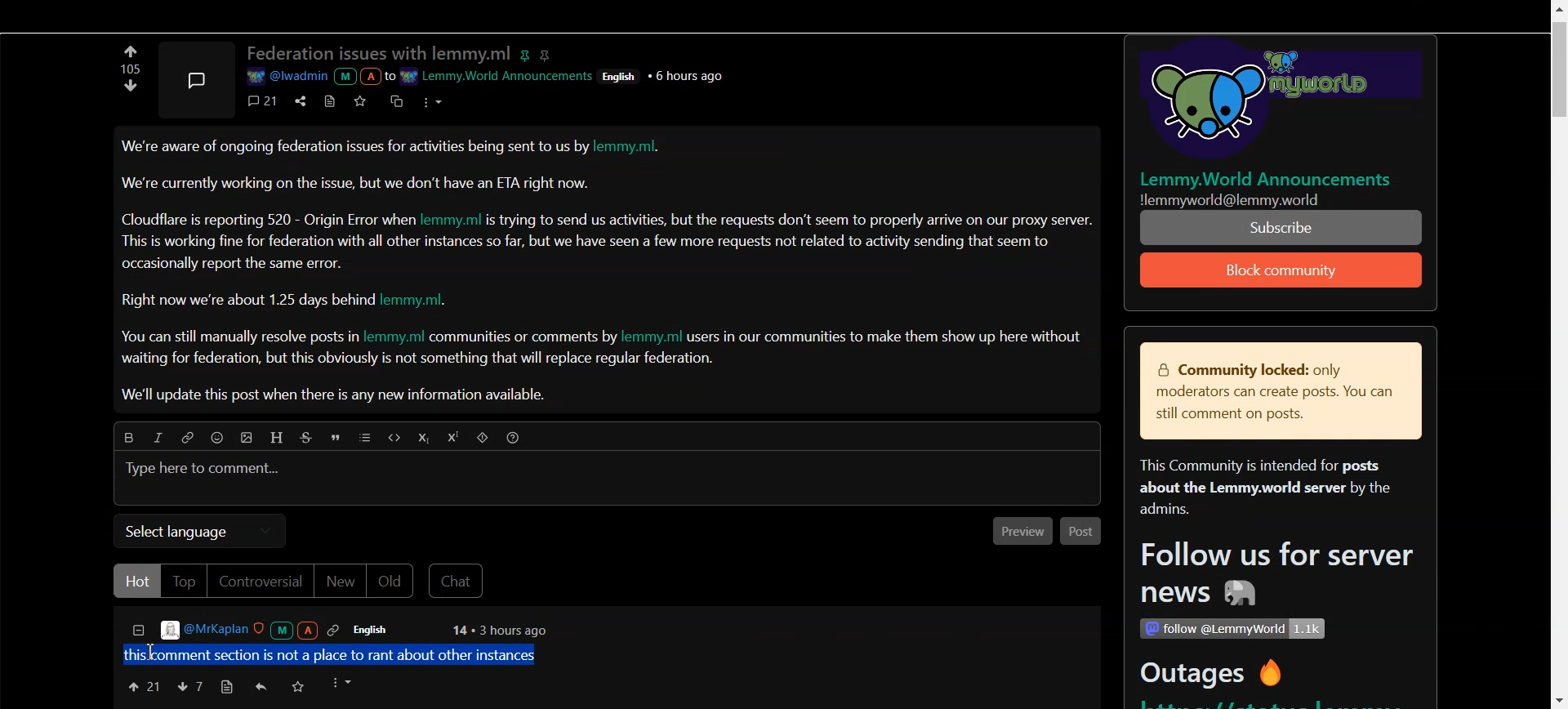 Image resolution: width=1568 pixels, height=709 pixels. I want to click on lemmy.ml., so click(635, 149).